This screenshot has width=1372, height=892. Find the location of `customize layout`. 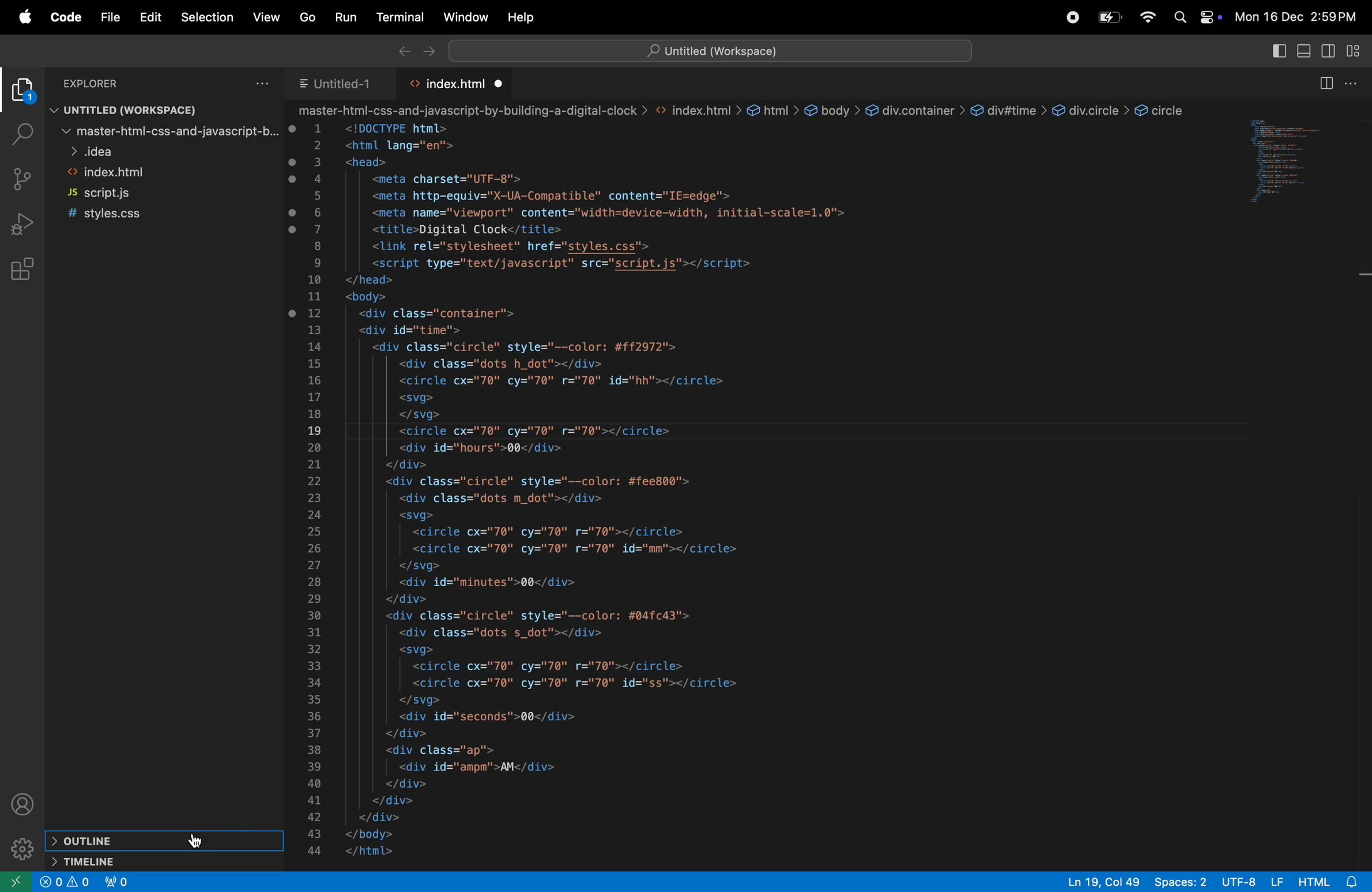

customize layout is located at coordinates (1355, 50).